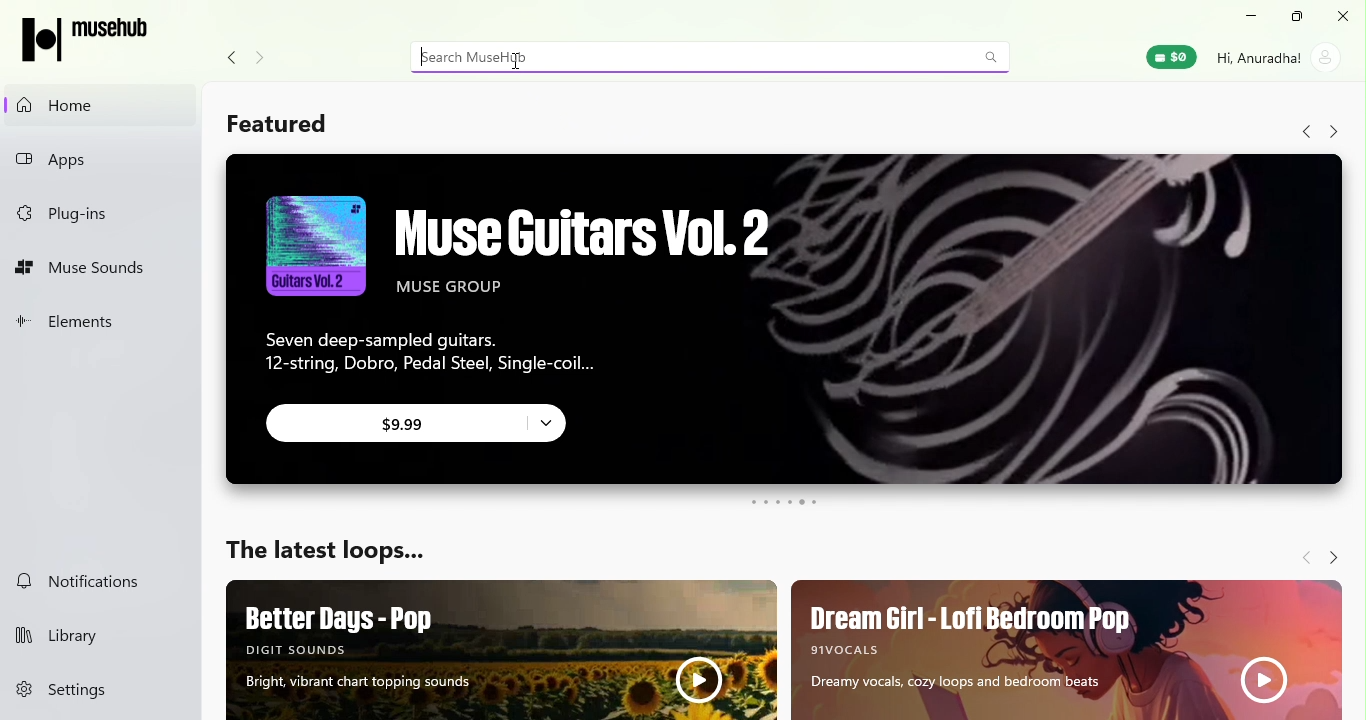 This screenshot has width=1366, height=720. I want to click on Minimize, so click(1252, 16).